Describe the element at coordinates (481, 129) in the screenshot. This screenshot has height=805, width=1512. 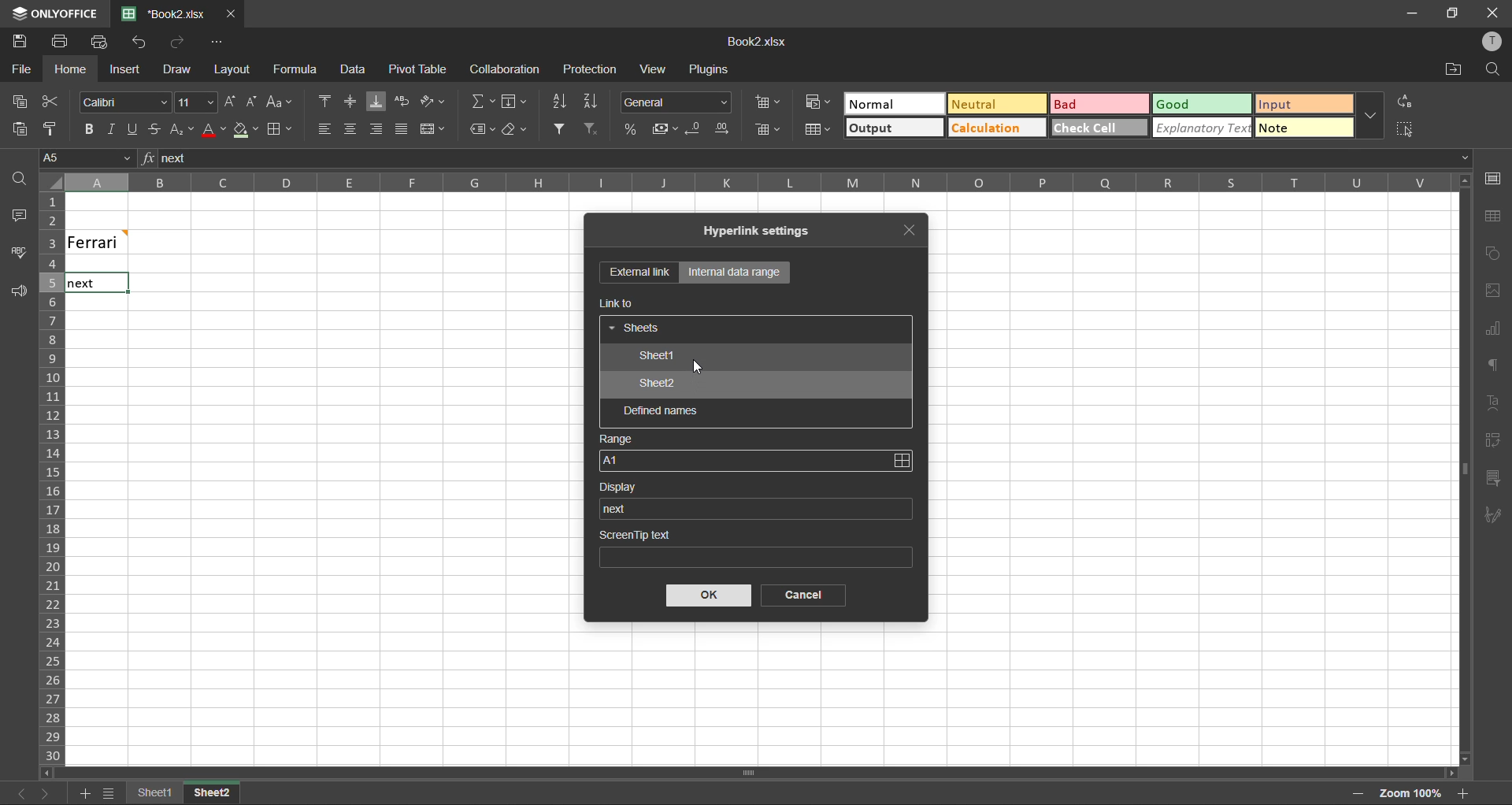
I see `named ranges` at that location.